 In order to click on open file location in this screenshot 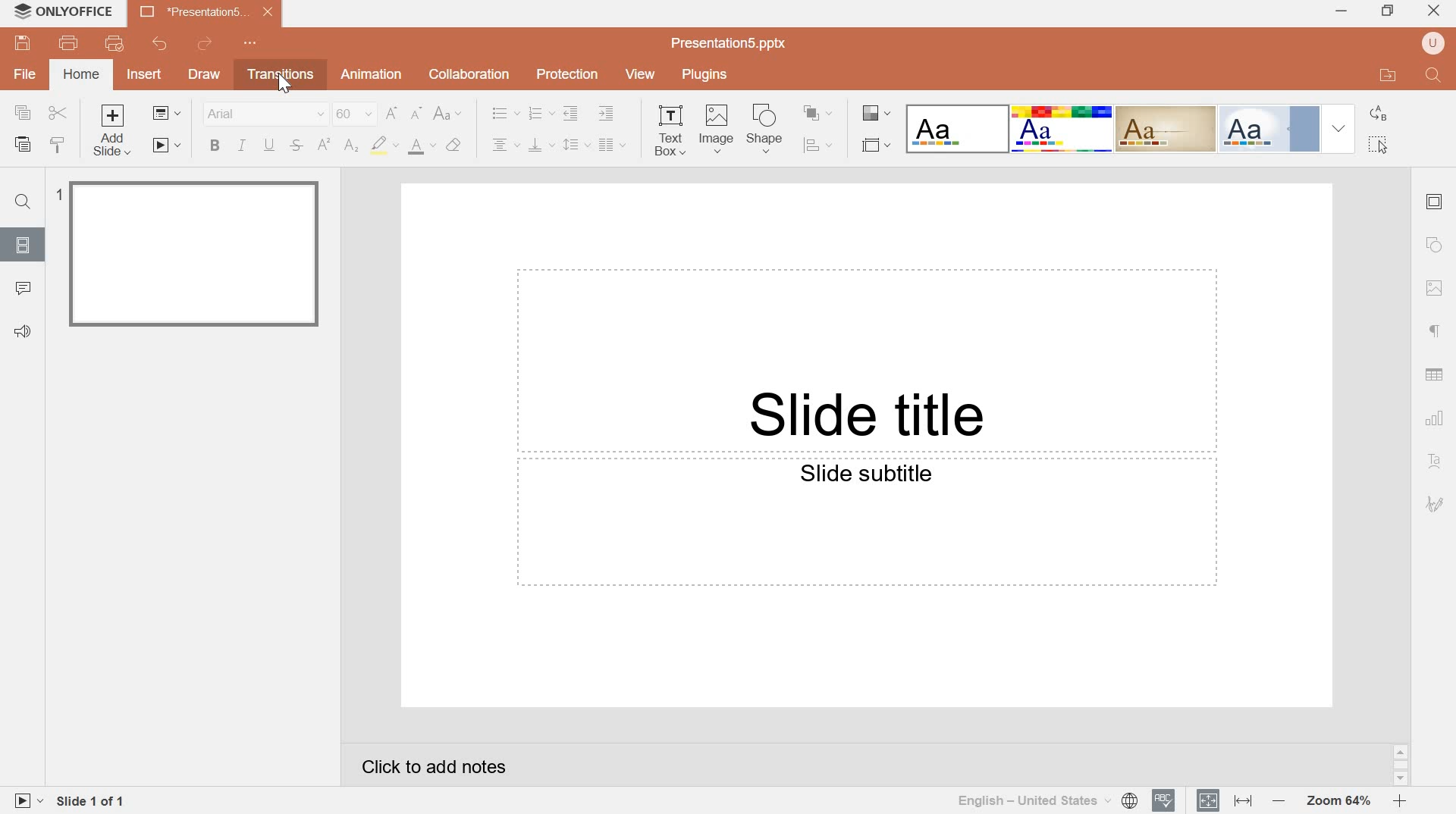, I will do `click(1389, 74)`.